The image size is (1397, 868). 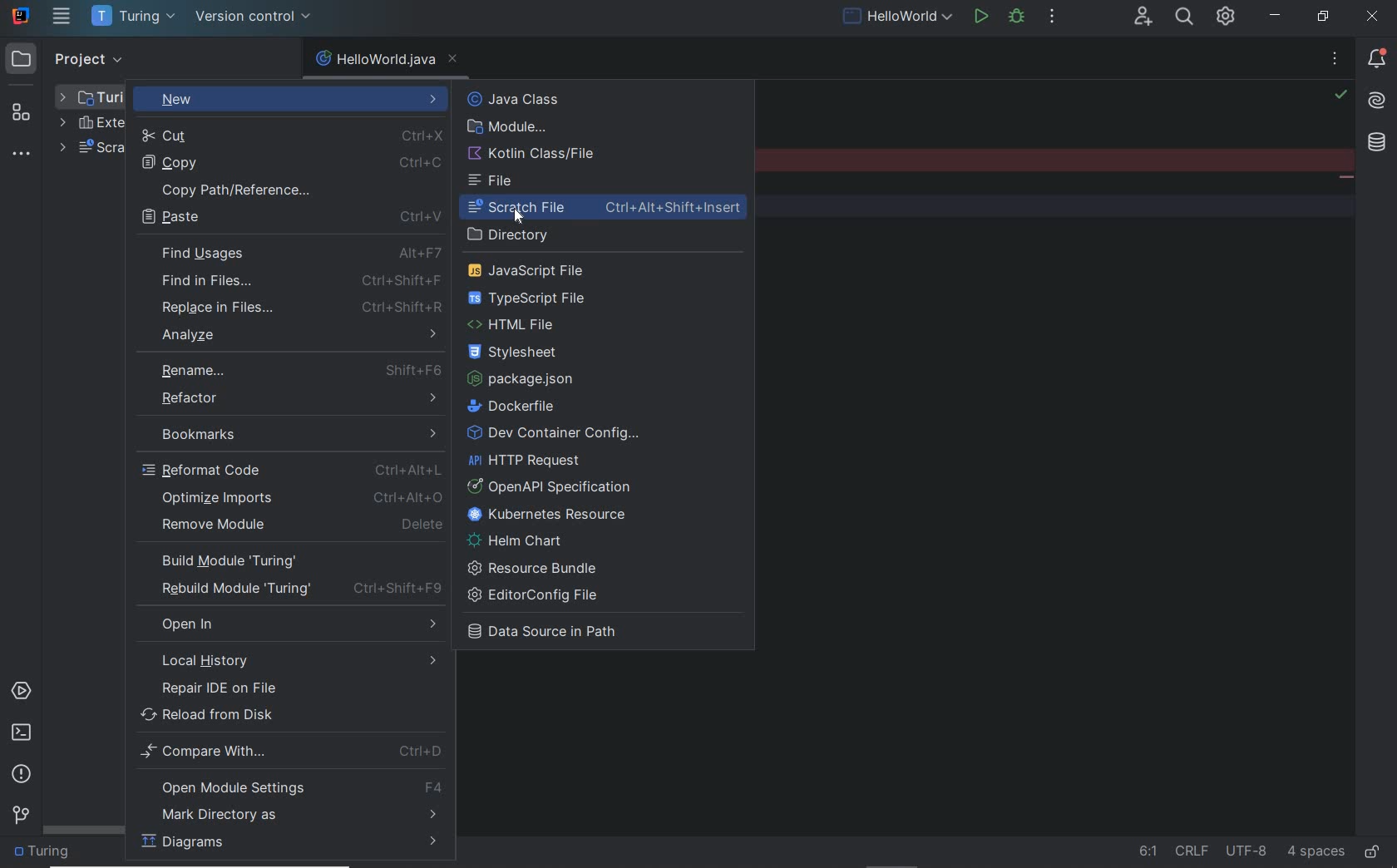 I want to click on IDE and Project settings, so click(x=1227, y=18).